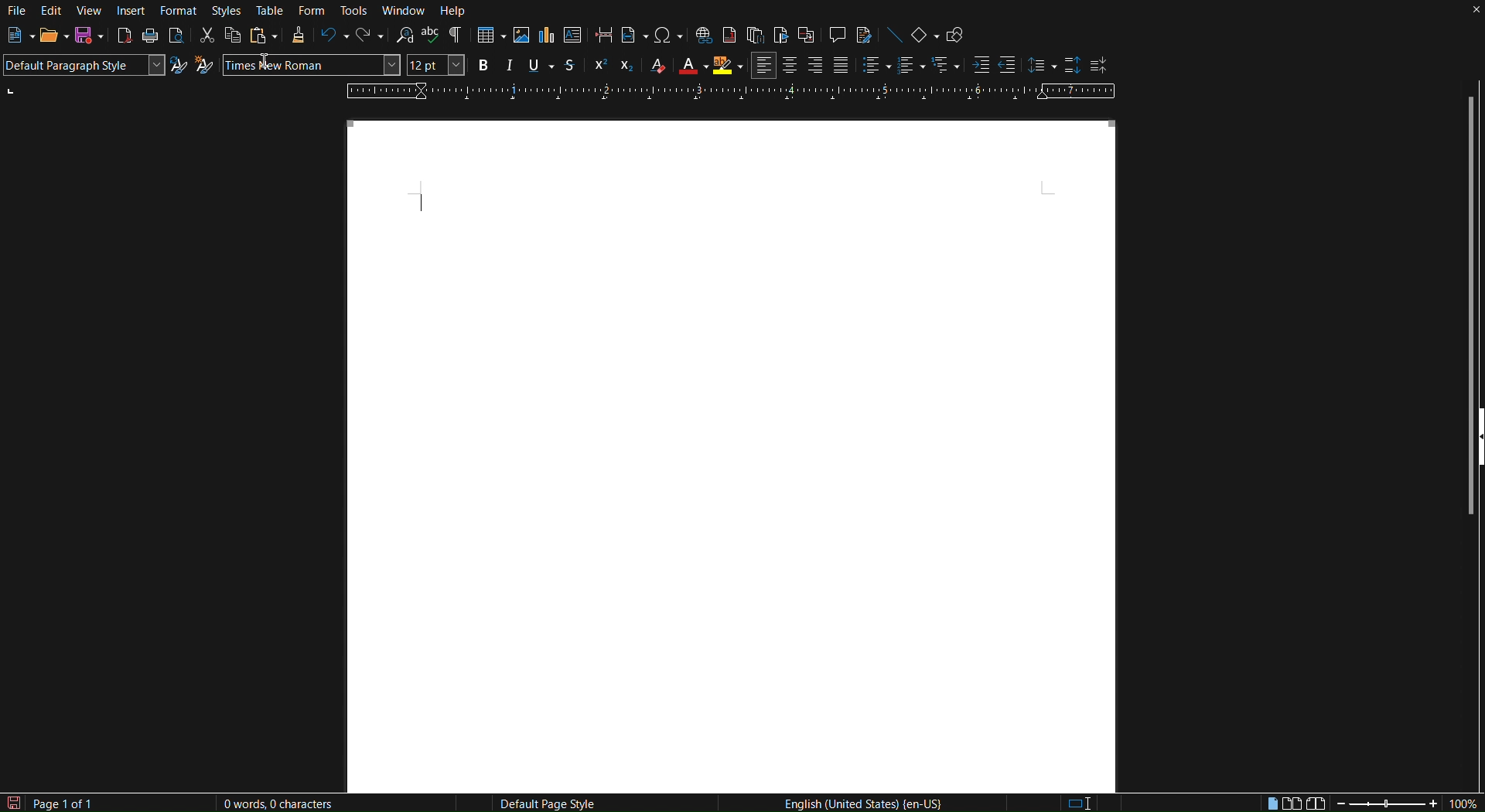 The height and width of the screenshot is (812, 1485). Describe the element at coordinates (80, 65) in the screenshot. I see `Default Paragraph Style` at that location.